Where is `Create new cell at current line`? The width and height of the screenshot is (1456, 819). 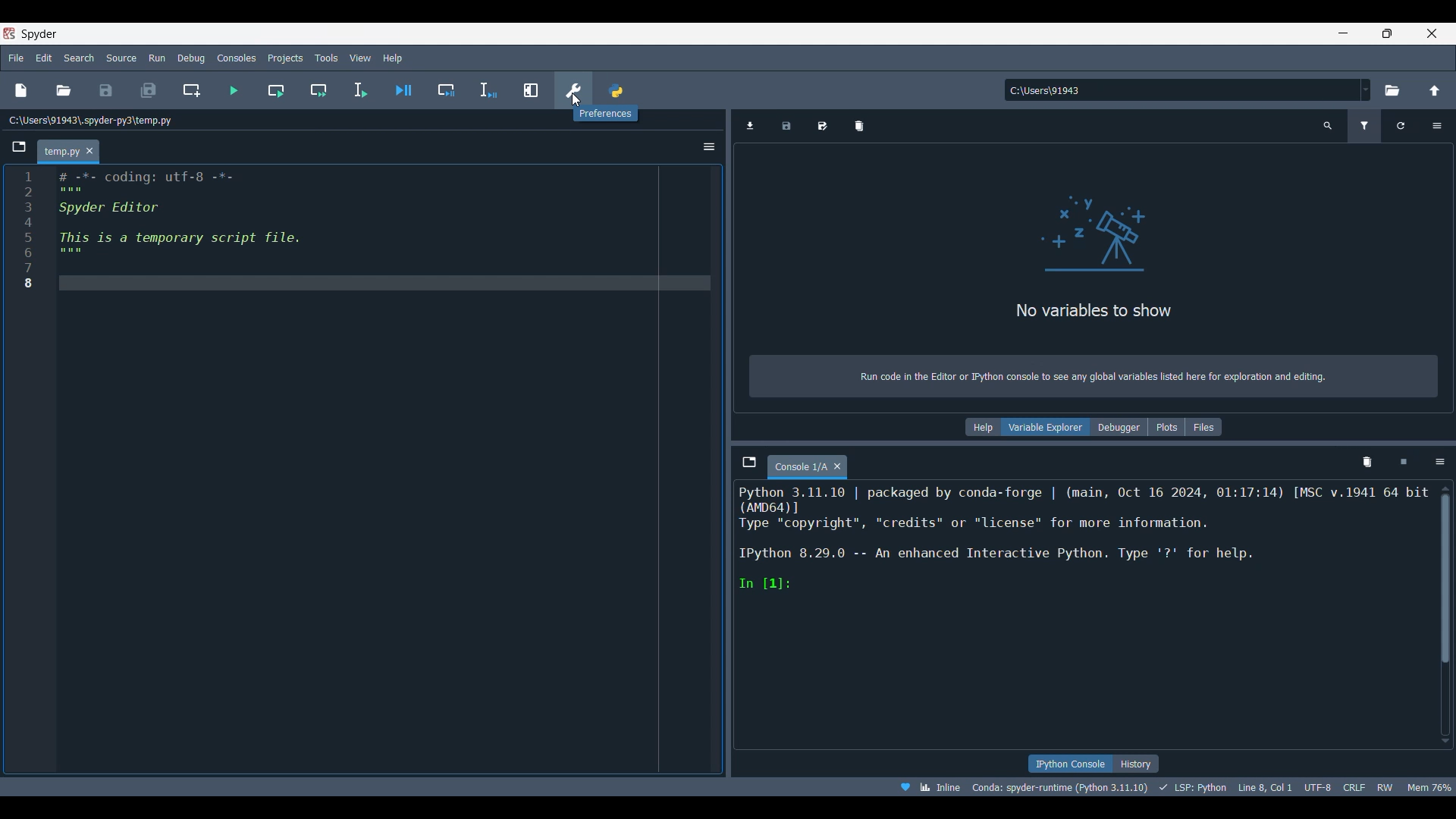 Create new cell at current line is located at coordinates (191, 89).